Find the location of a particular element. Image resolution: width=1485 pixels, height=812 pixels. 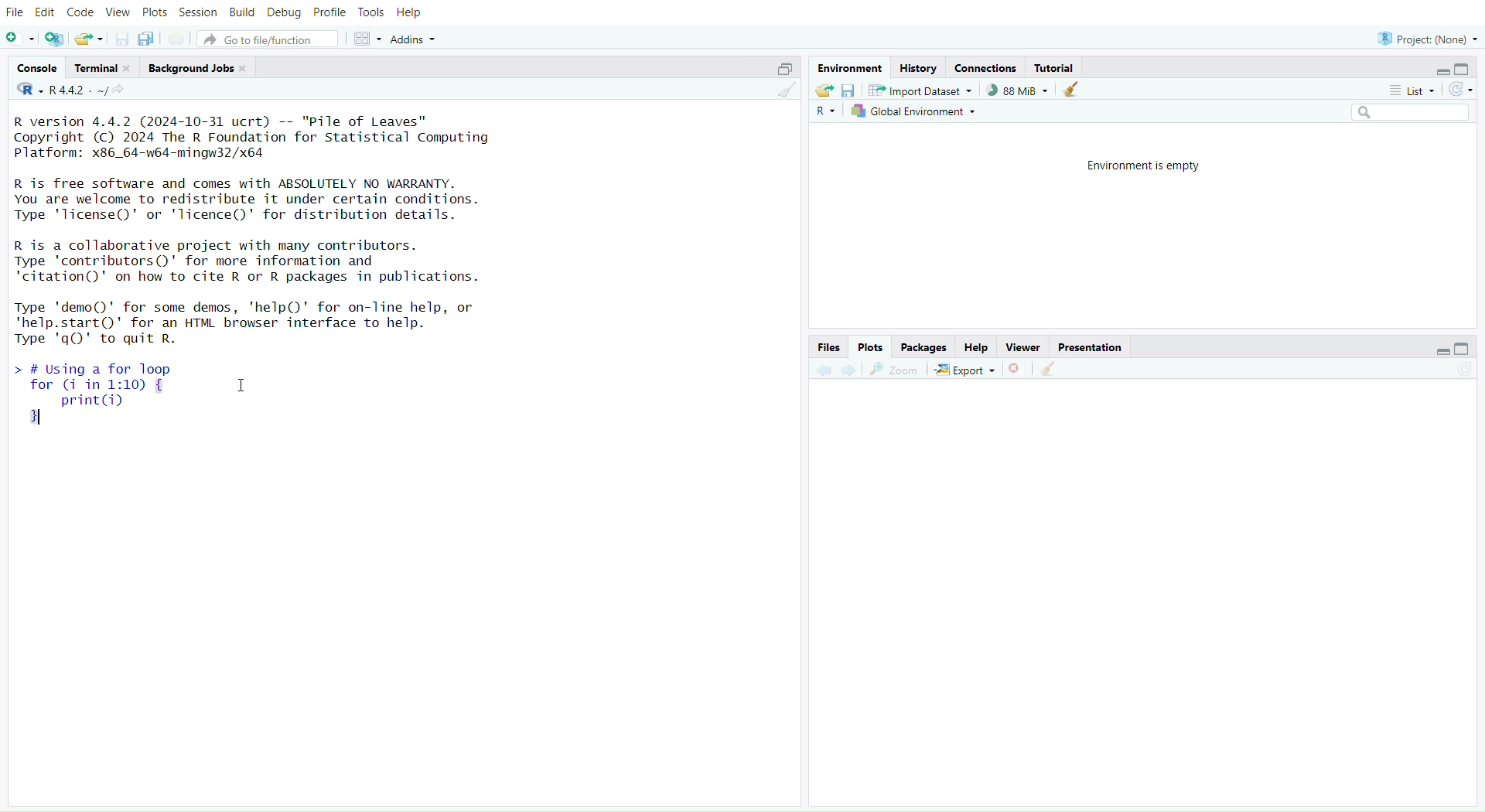

clear all plot is located at coordinates (1050, 370).